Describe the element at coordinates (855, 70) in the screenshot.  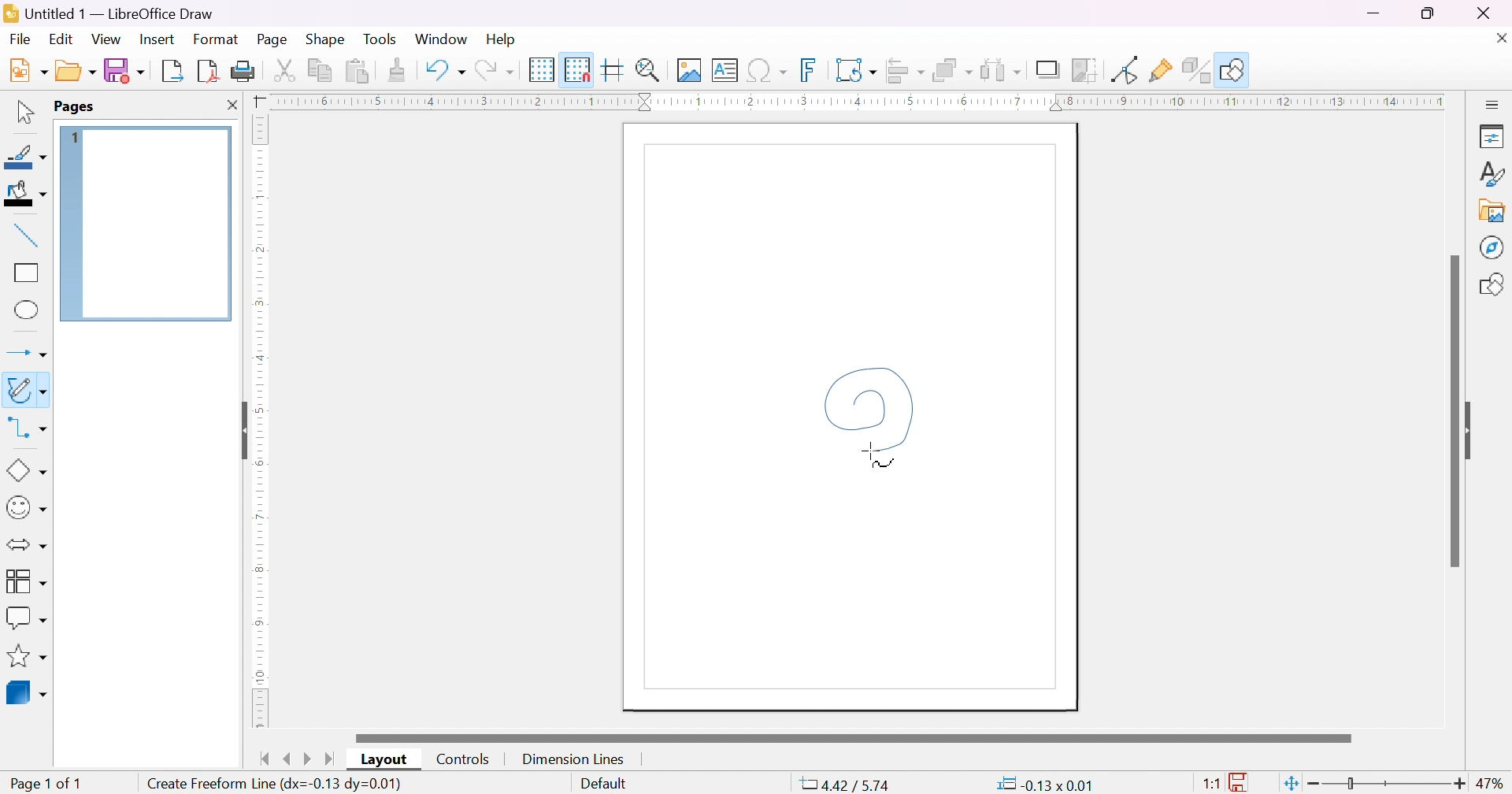
I see `transformation` at that location.